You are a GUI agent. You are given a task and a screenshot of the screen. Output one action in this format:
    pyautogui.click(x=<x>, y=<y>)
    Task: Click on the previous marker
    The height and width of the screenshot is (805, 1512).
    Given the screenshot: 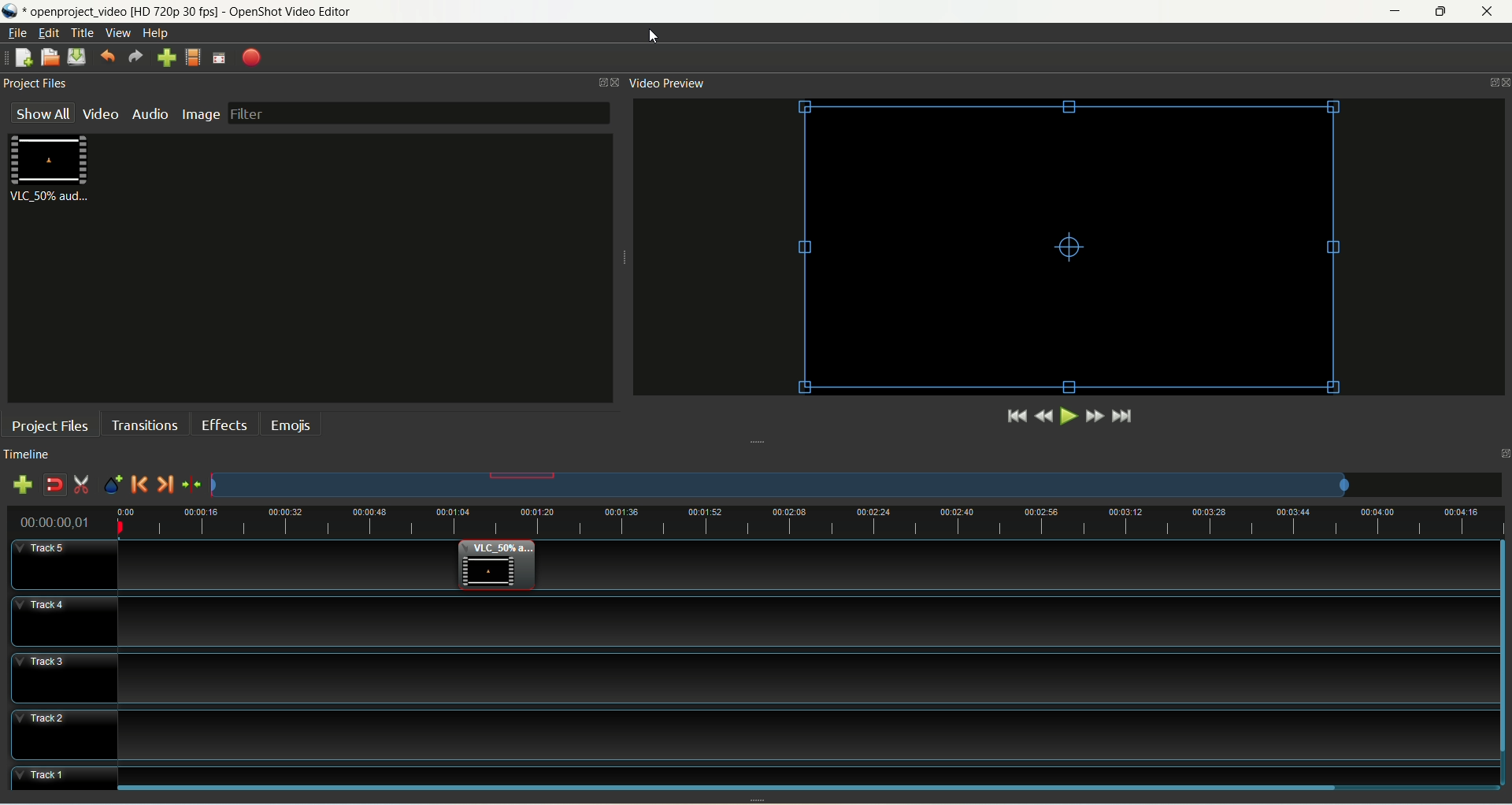 What is the action you would take?
    pyautogui.click(x=140, y=486)
    